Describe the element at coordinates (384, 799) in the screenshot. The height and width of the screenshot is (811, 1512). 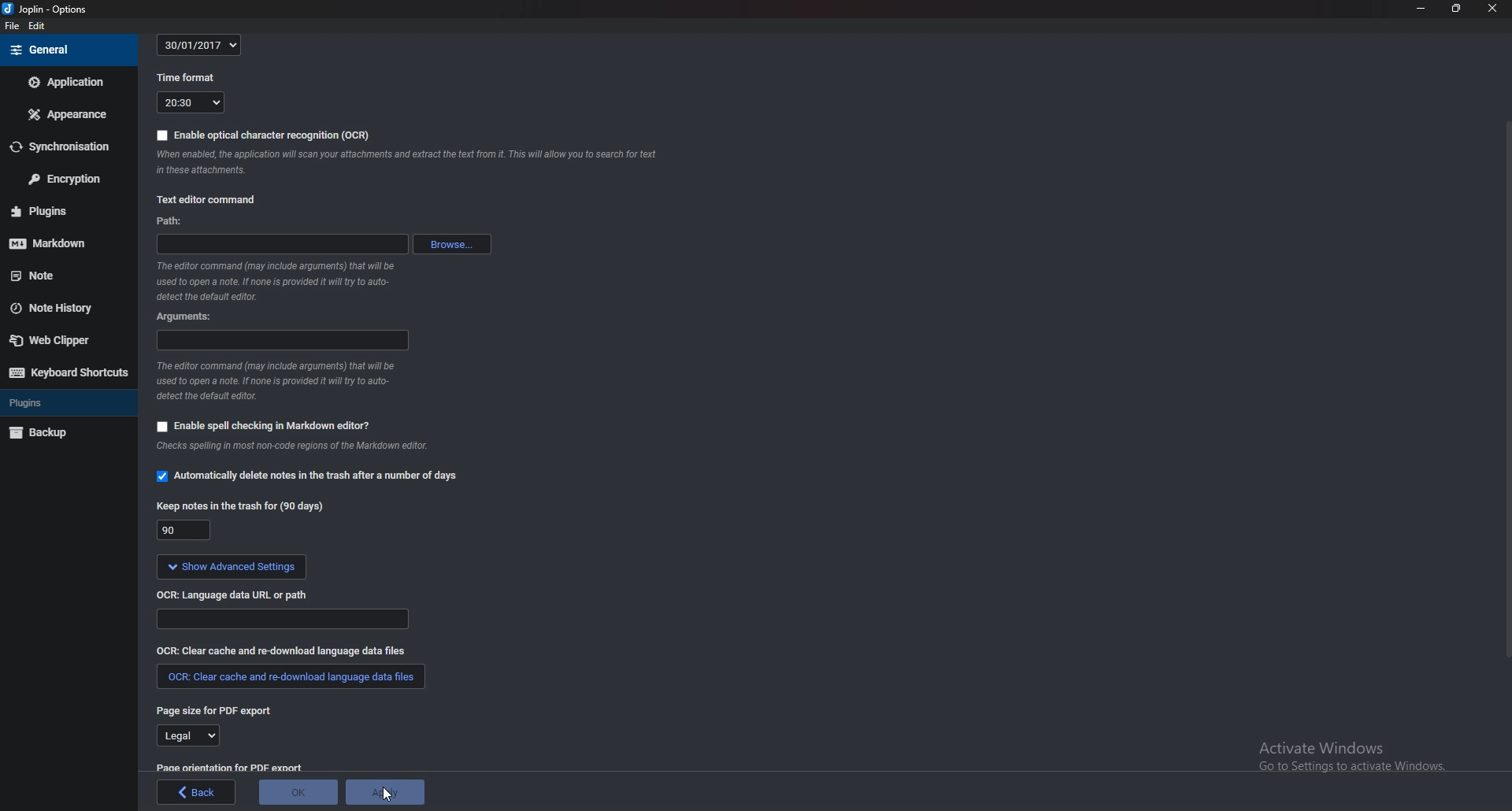
I see `cursor` at that location.